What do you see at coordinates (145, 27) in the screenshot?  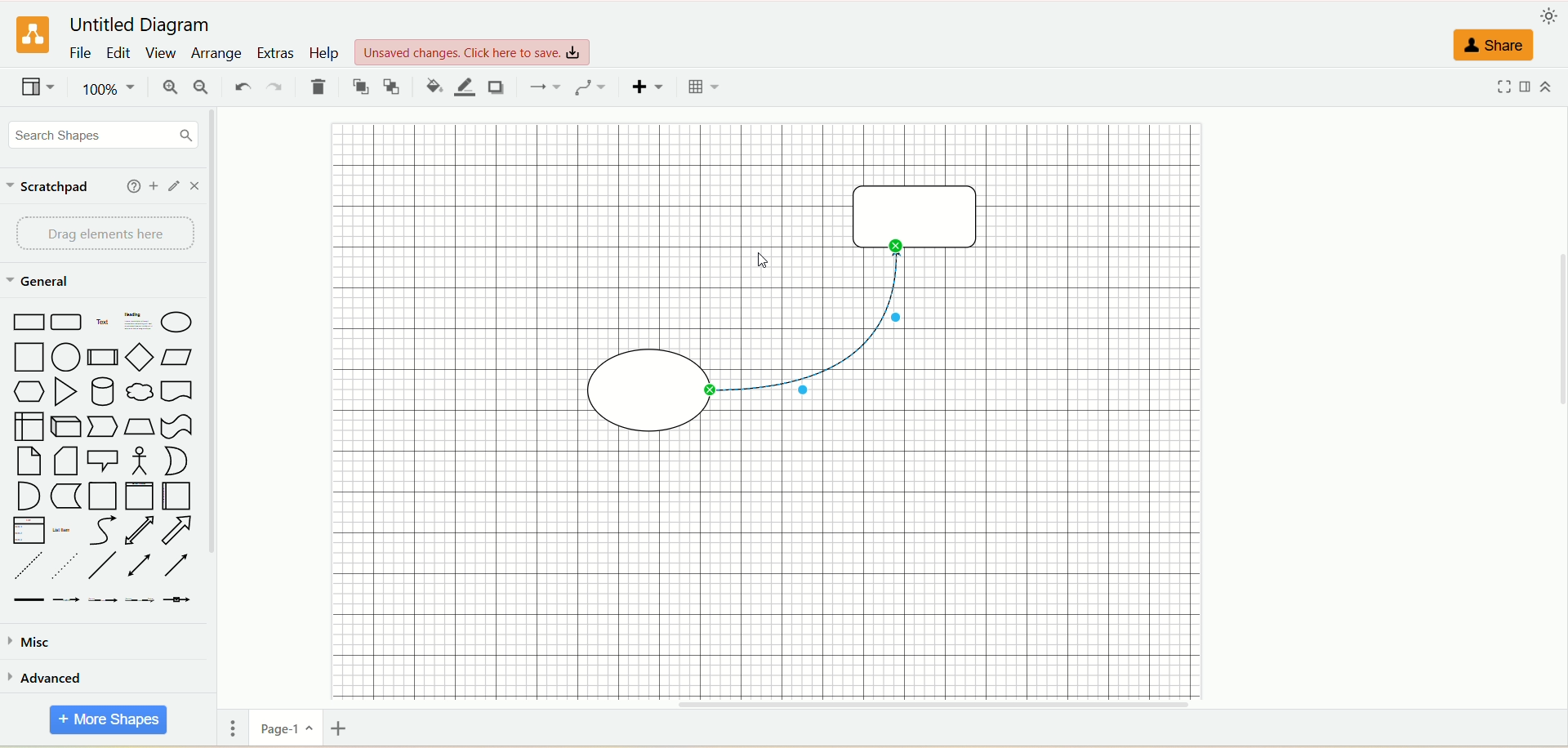 I see `title` at bounding box center [145, 27].